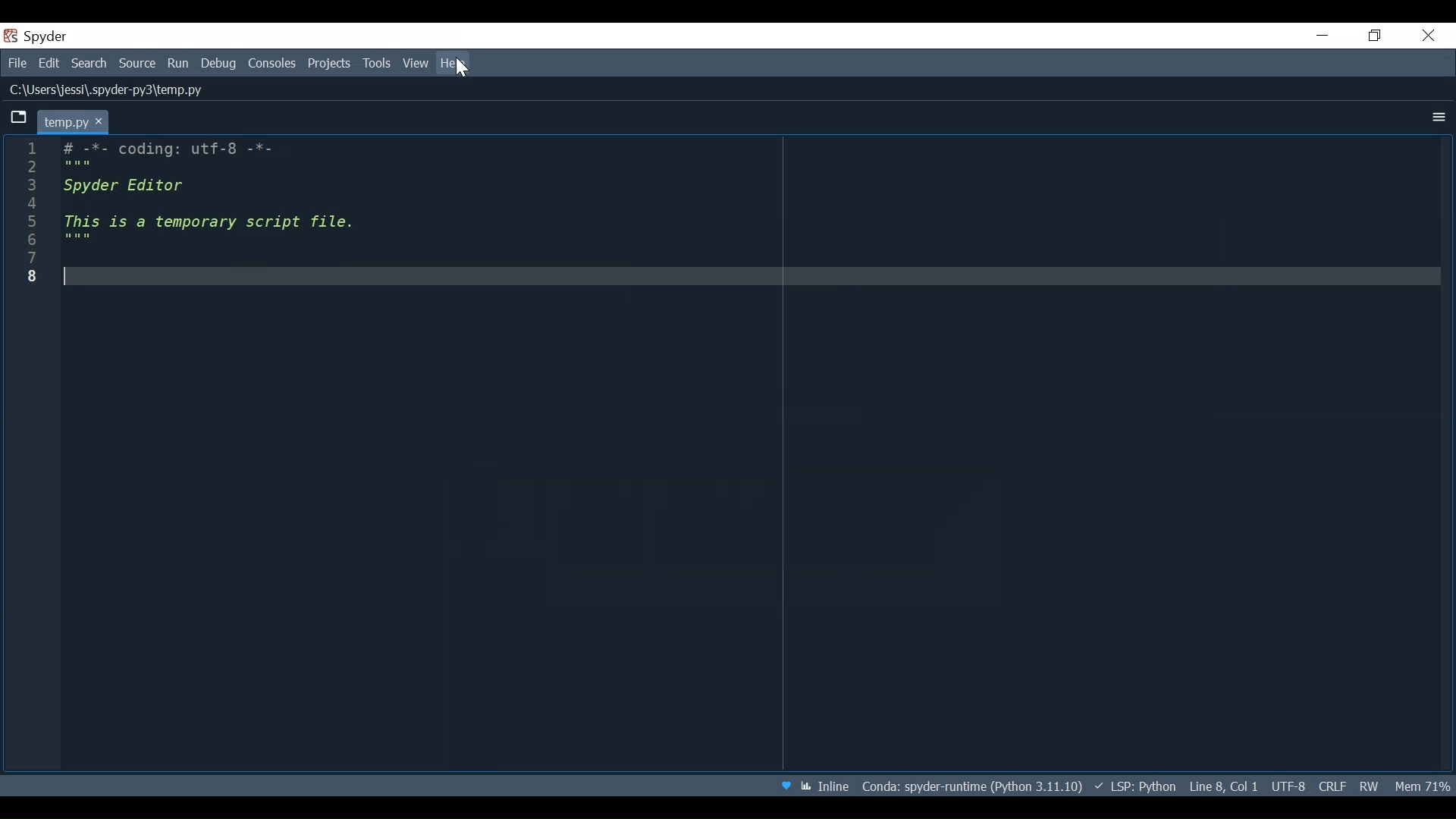 Image resolution: width=1456 pixels, height=819 pixels. Describe the element at coordinates (752, 460) in the screenshot. I see `code` at that location.